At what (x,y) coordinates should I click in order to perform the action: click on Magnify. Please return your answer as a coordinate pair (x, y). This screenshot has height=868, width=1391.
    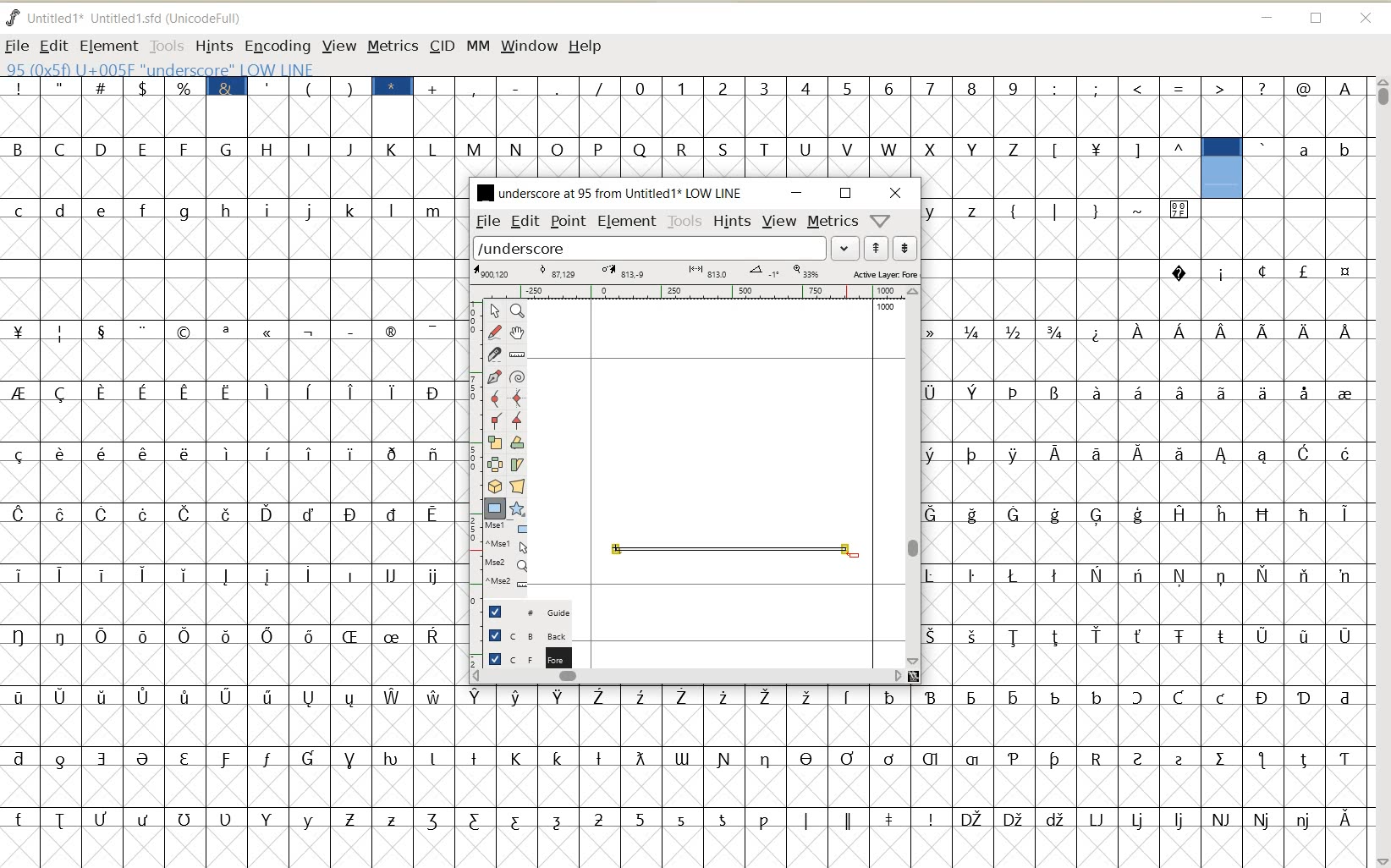
    Looking at the image, I should click on (516, 310).